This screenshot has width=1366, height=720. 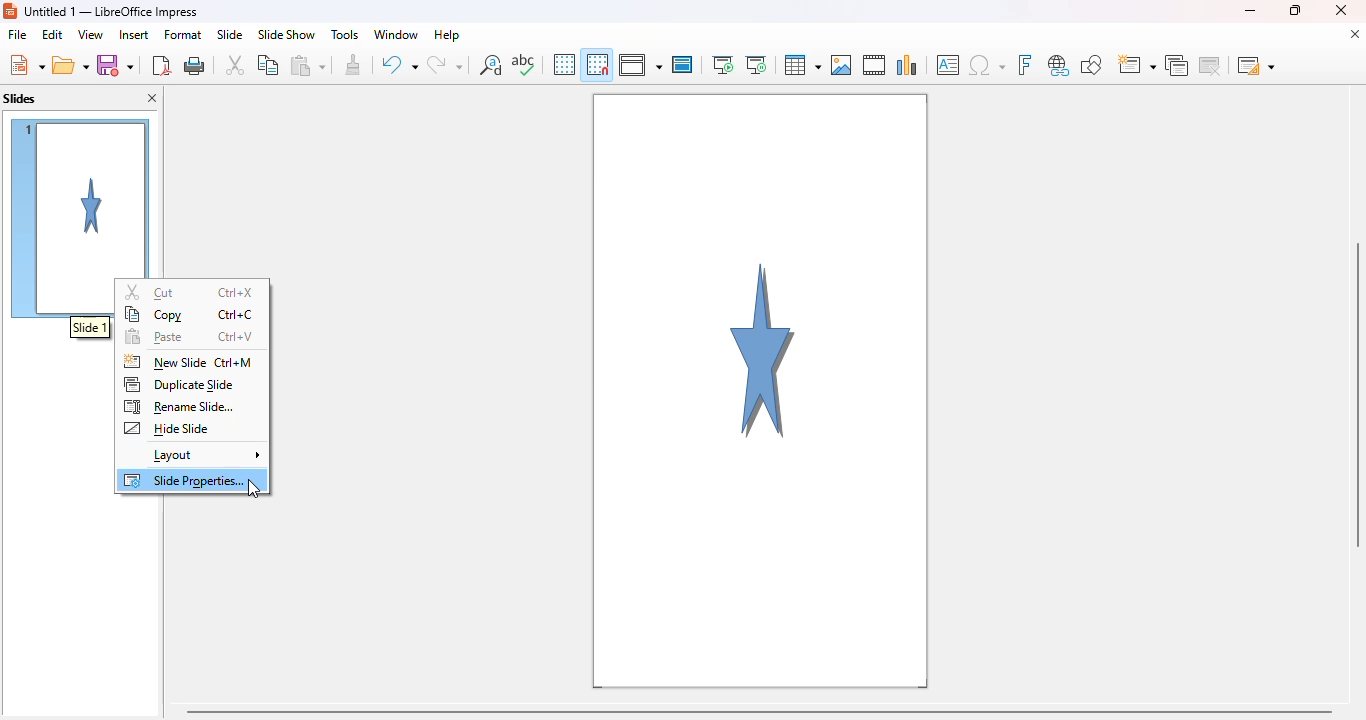 I want to click on start from first slide, so click(x=723, y=65).